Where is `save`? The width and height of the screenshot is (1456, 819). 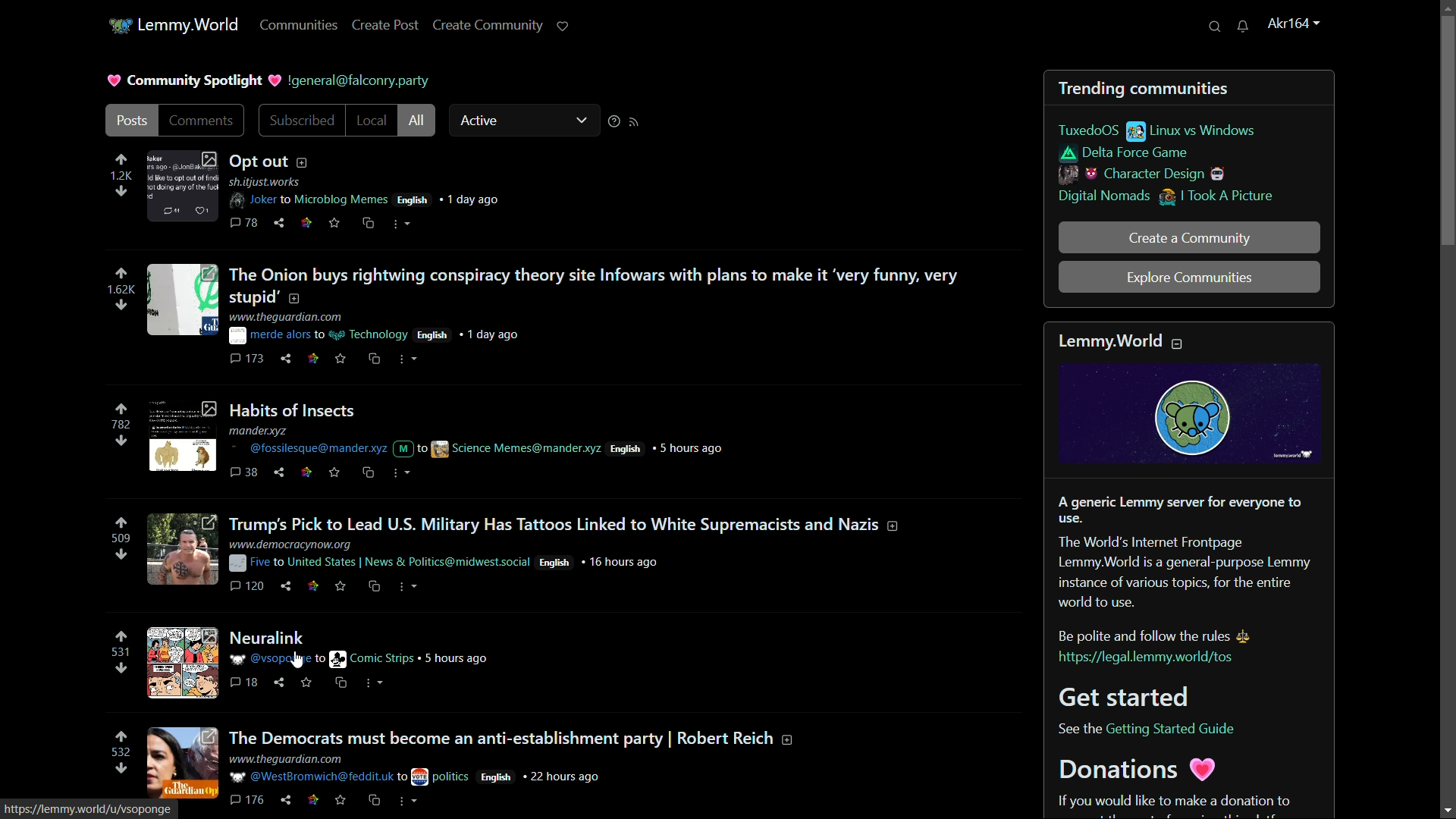 save is located at coordinates (344, 359).